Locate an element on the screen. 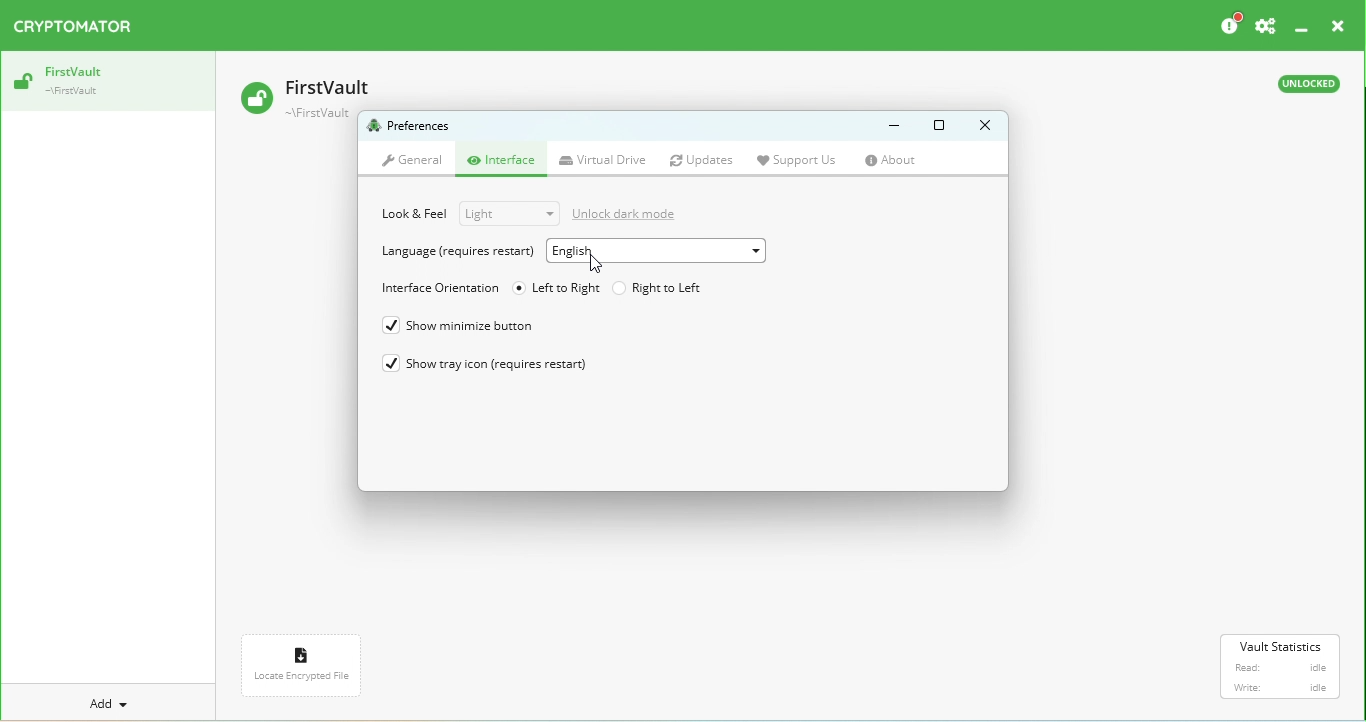 Image resolution: width=1366 pixels, height=722 pixels. Close is located at coordinates (1335, 28).